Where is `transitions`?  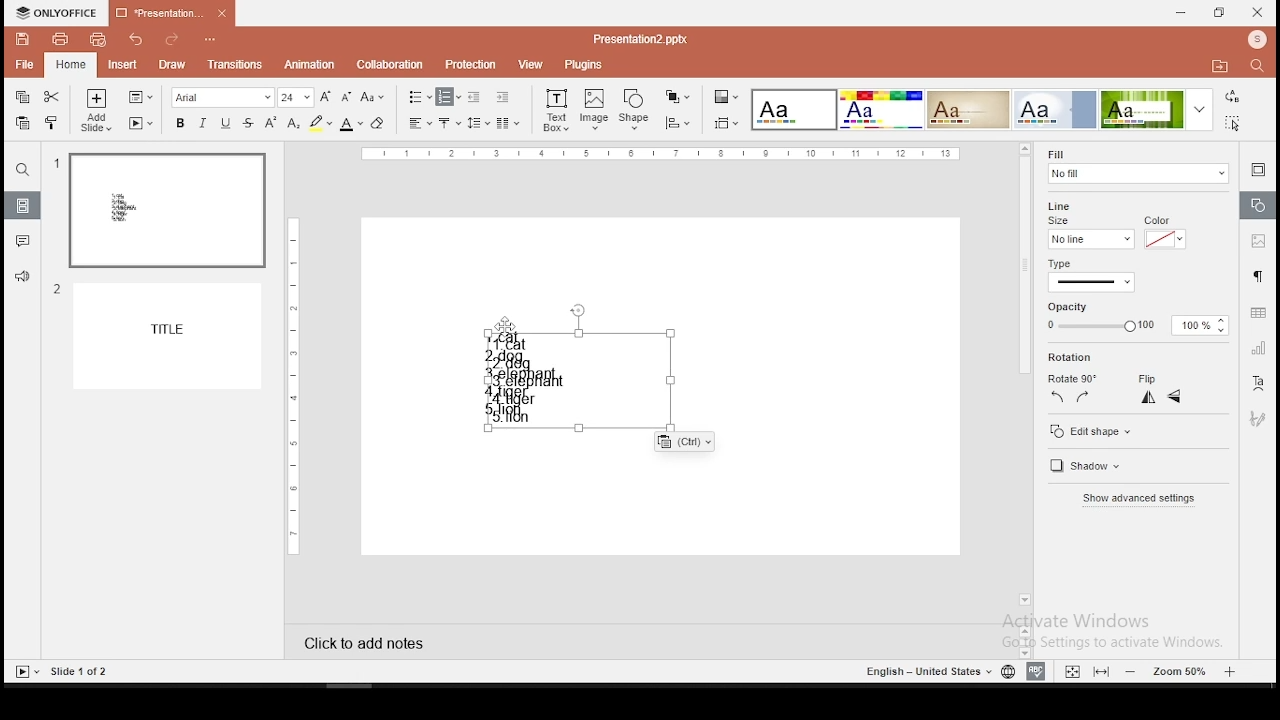 transitions is located at coordinates (232, 66).